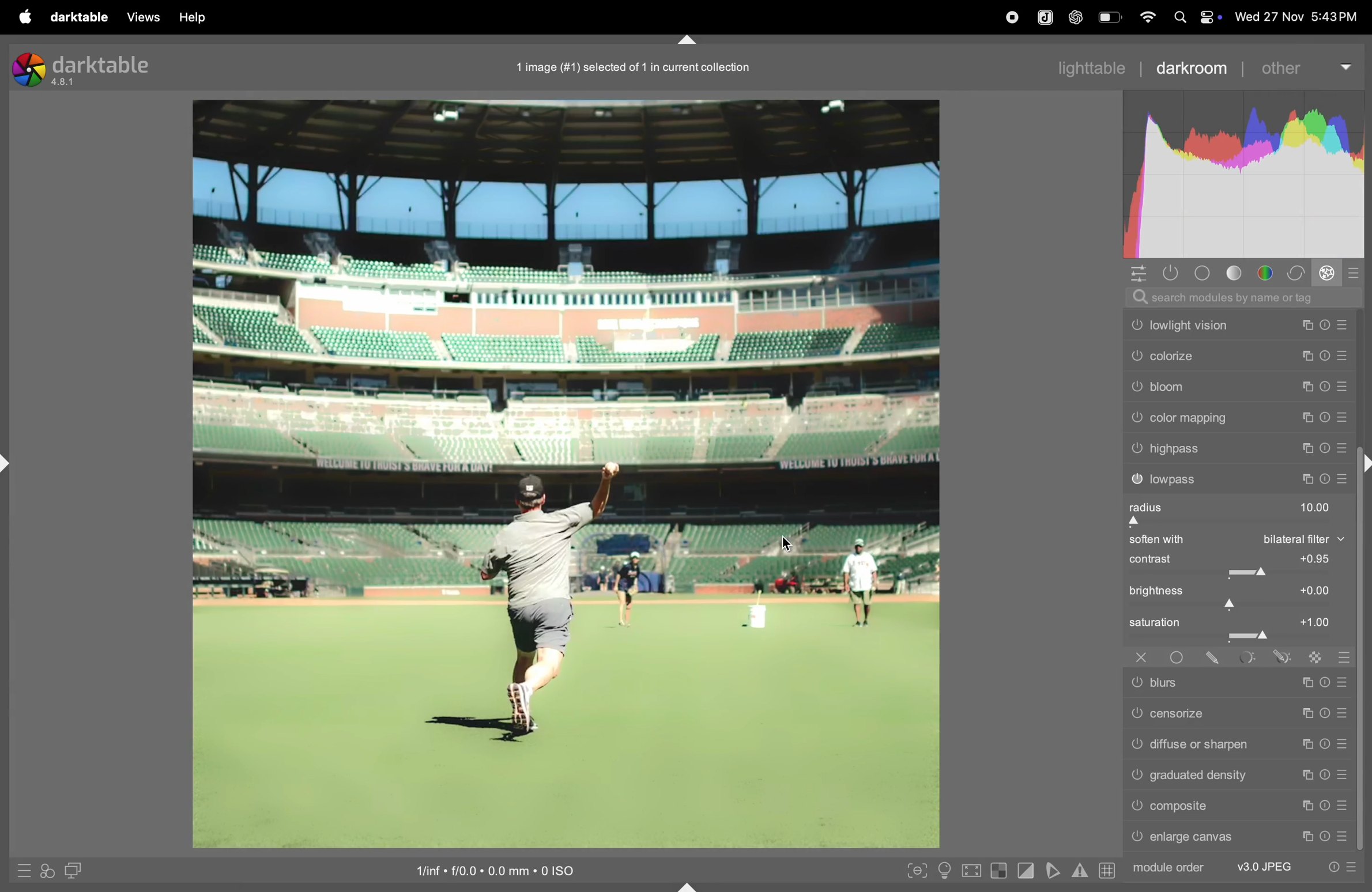 This screenshot has width=1372, height=892. Describe the element at coordinates (1237, 479) in the screenshot. I see `lowpass` at that location.